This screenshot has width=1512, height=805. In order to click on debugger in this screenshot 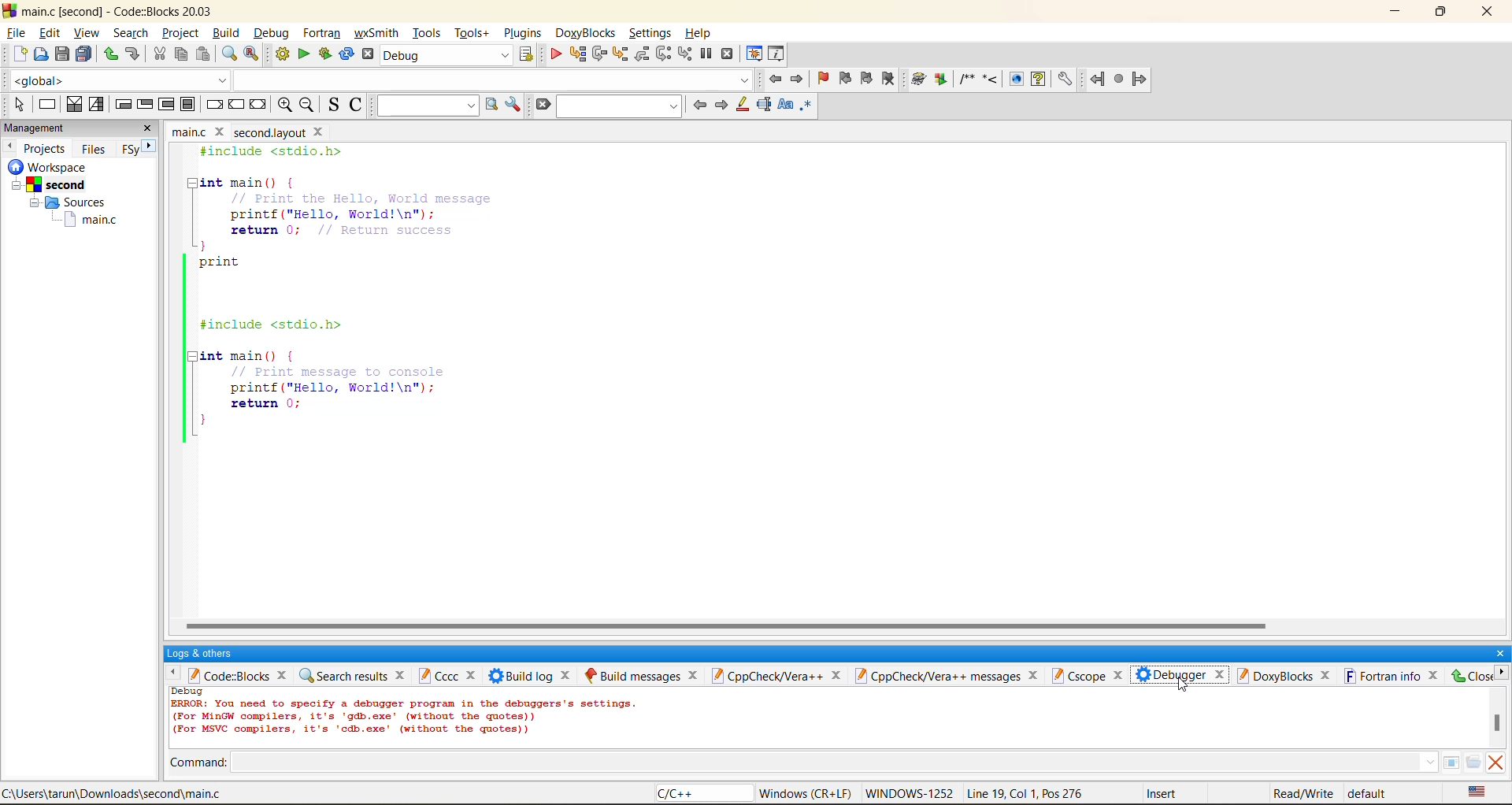, I will do `click(1180, 677)`.